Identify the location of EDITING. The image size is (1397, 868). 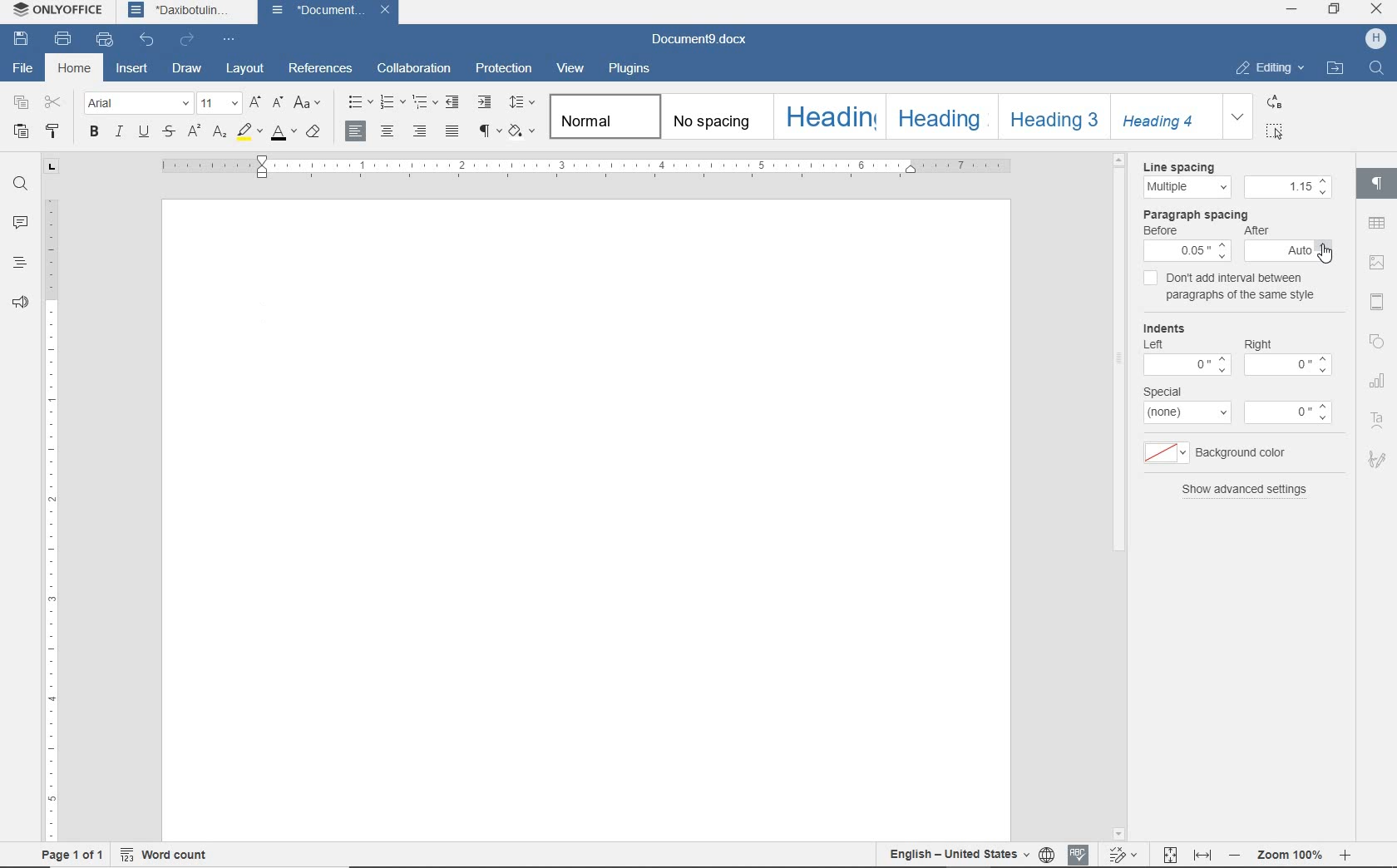
(1269, 67).